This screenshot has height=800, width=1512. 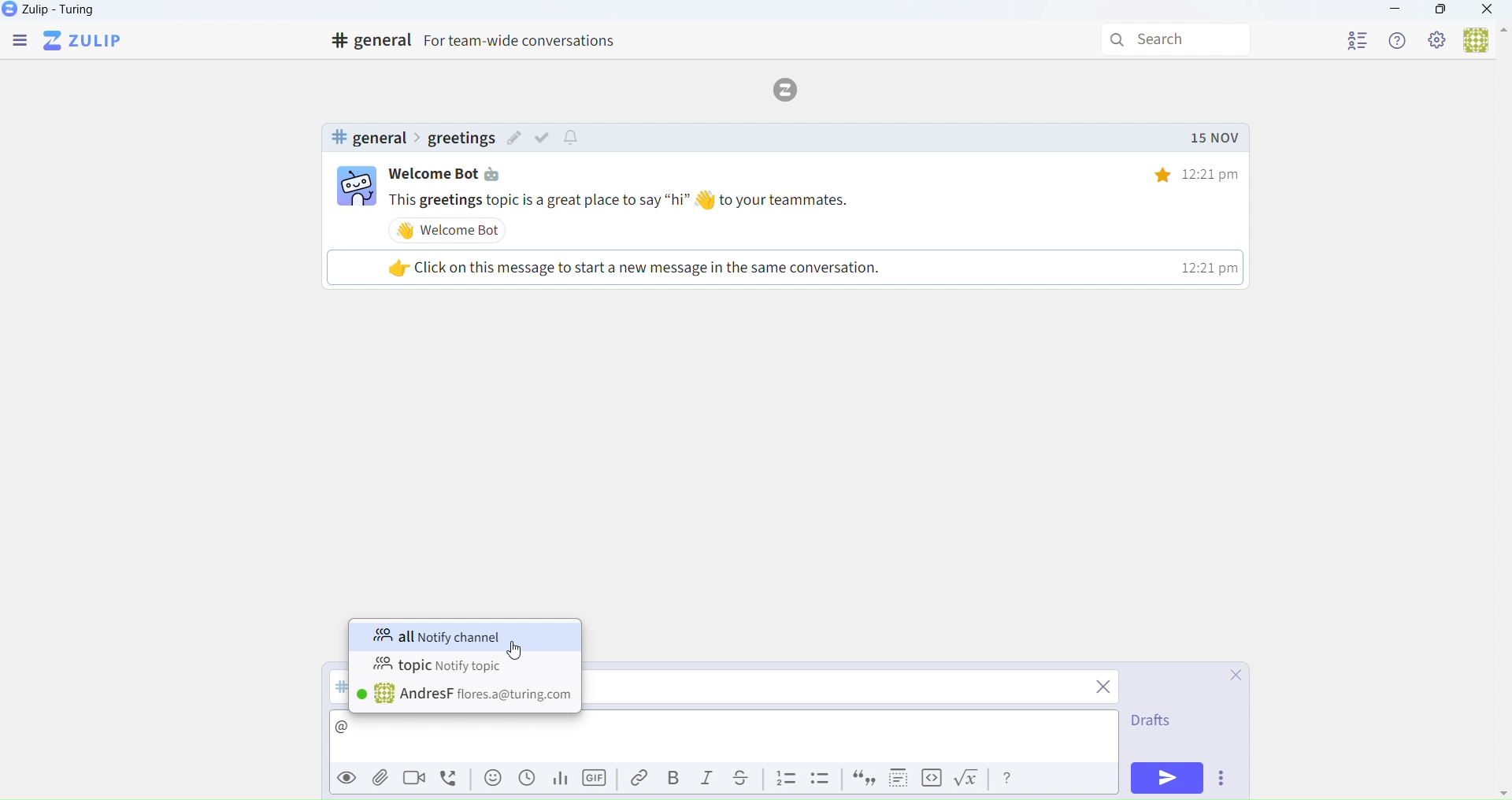 I want to click on Help, so click(x=1399, y=40).